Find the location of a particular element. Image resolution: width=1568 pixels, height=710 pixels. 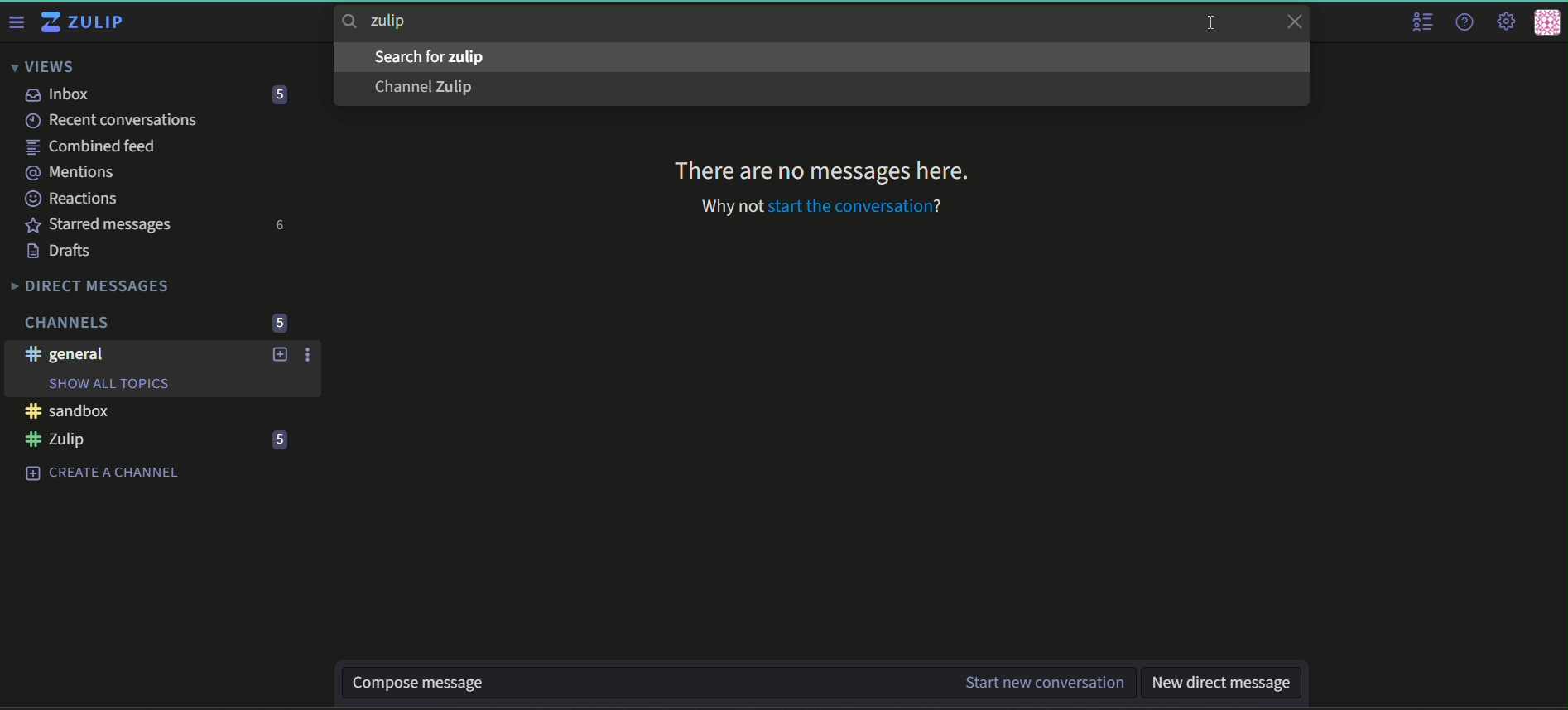

close is located at coordinates (1294, 22).